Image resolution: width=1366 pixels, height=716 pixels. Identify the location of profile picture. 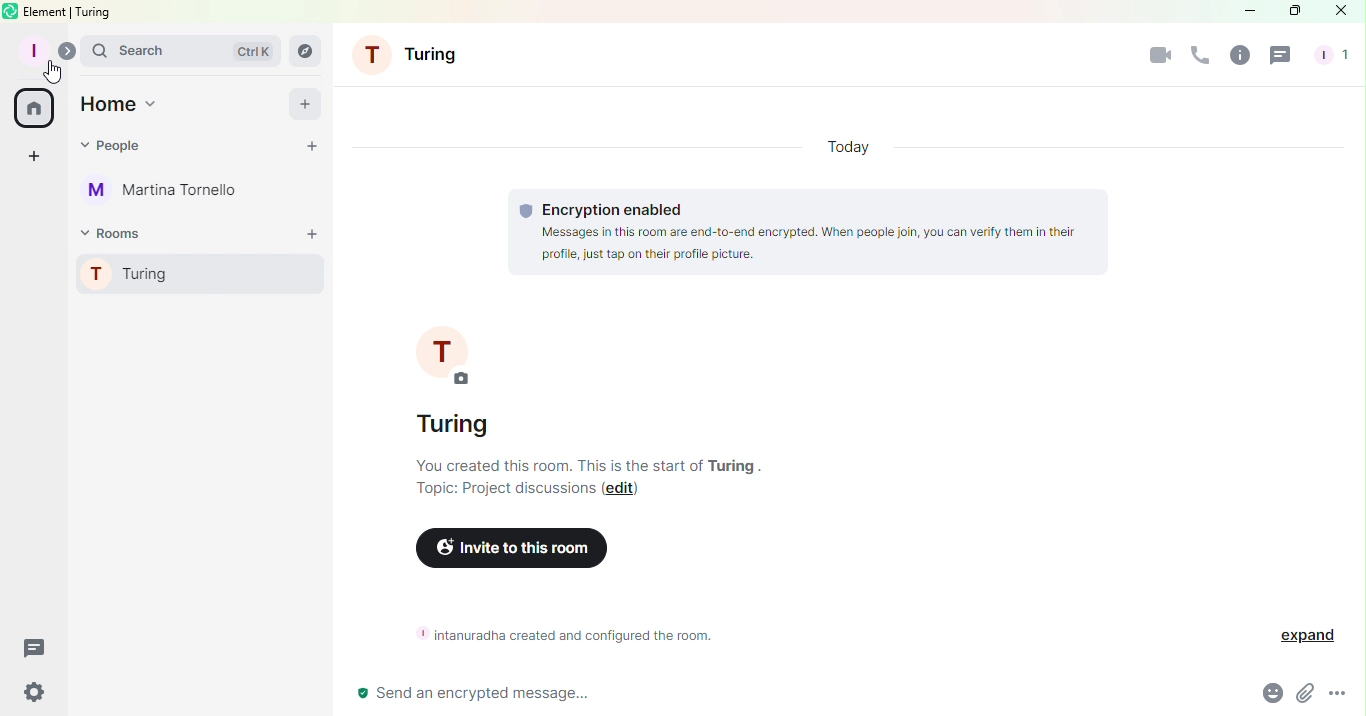
(443, 350).